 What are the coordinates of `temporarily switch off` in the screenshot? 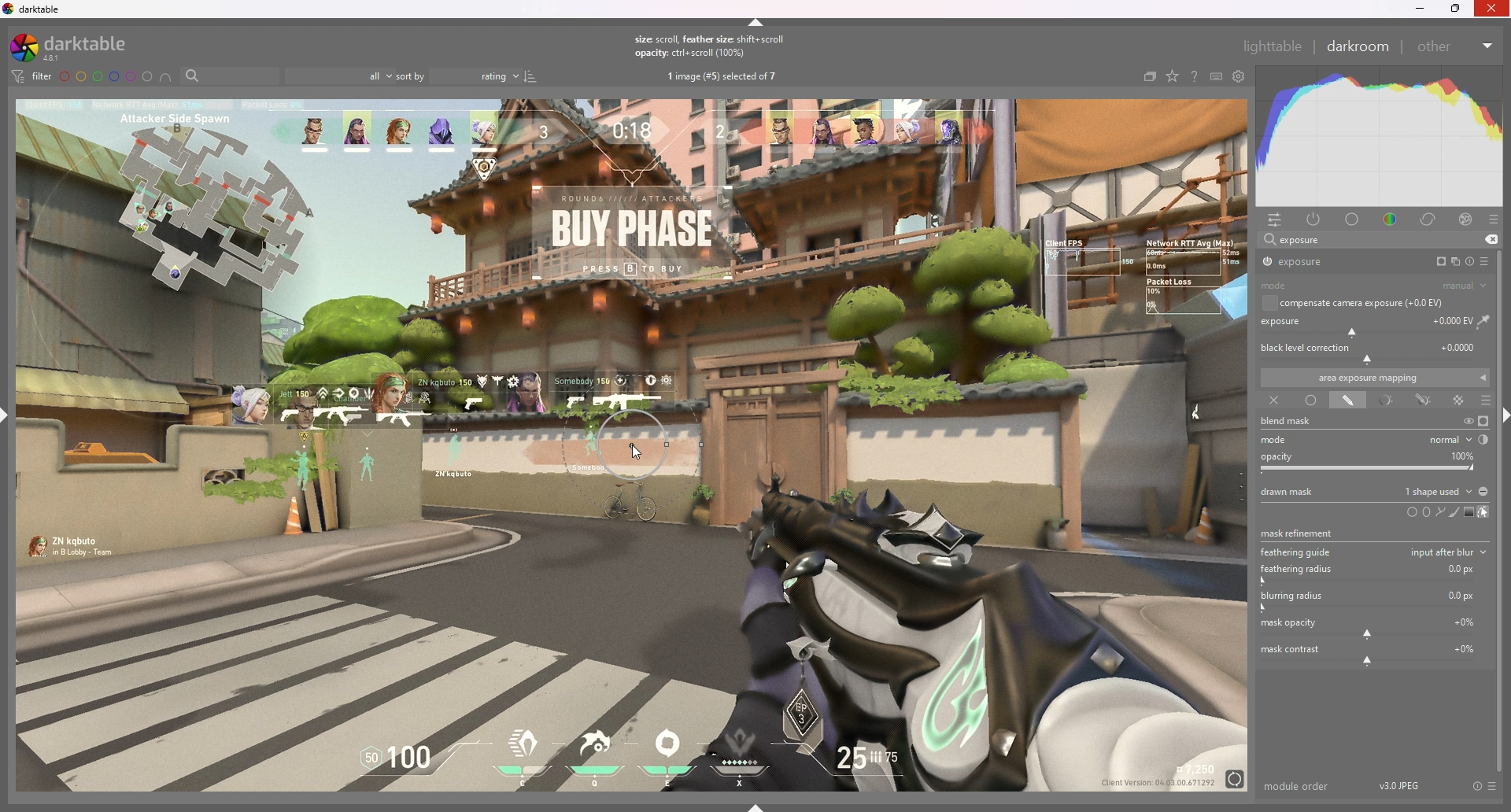 It's located at (1467, 421).